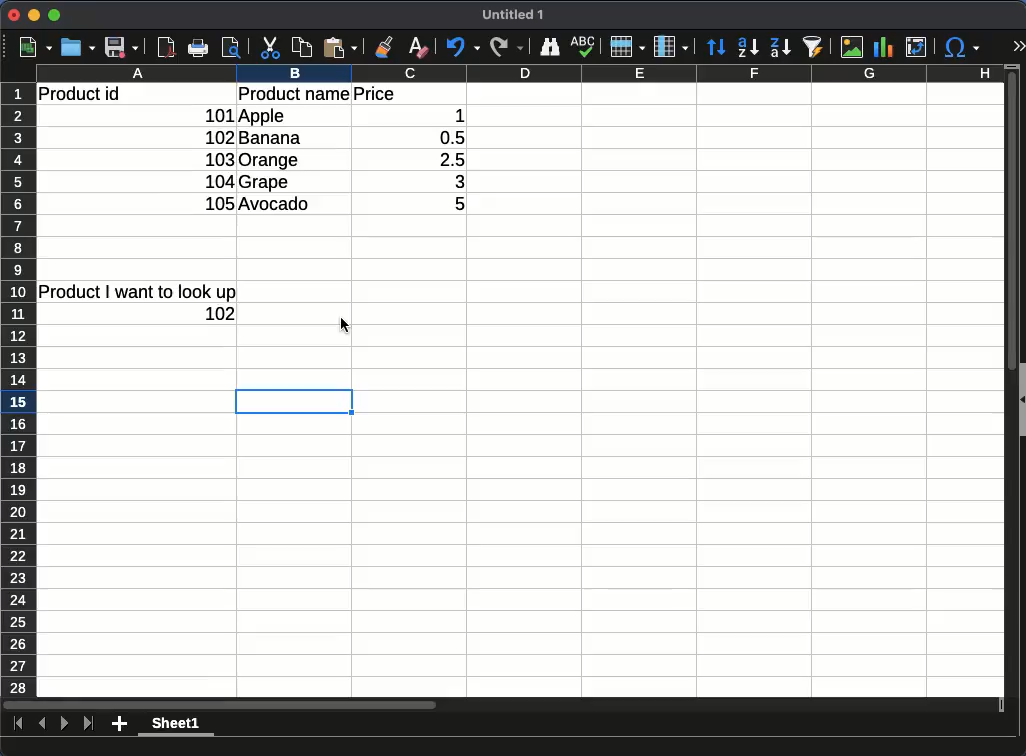  Describe the element at coordinates (90, 724) in the screenshot. I see `last sheet` at that location.